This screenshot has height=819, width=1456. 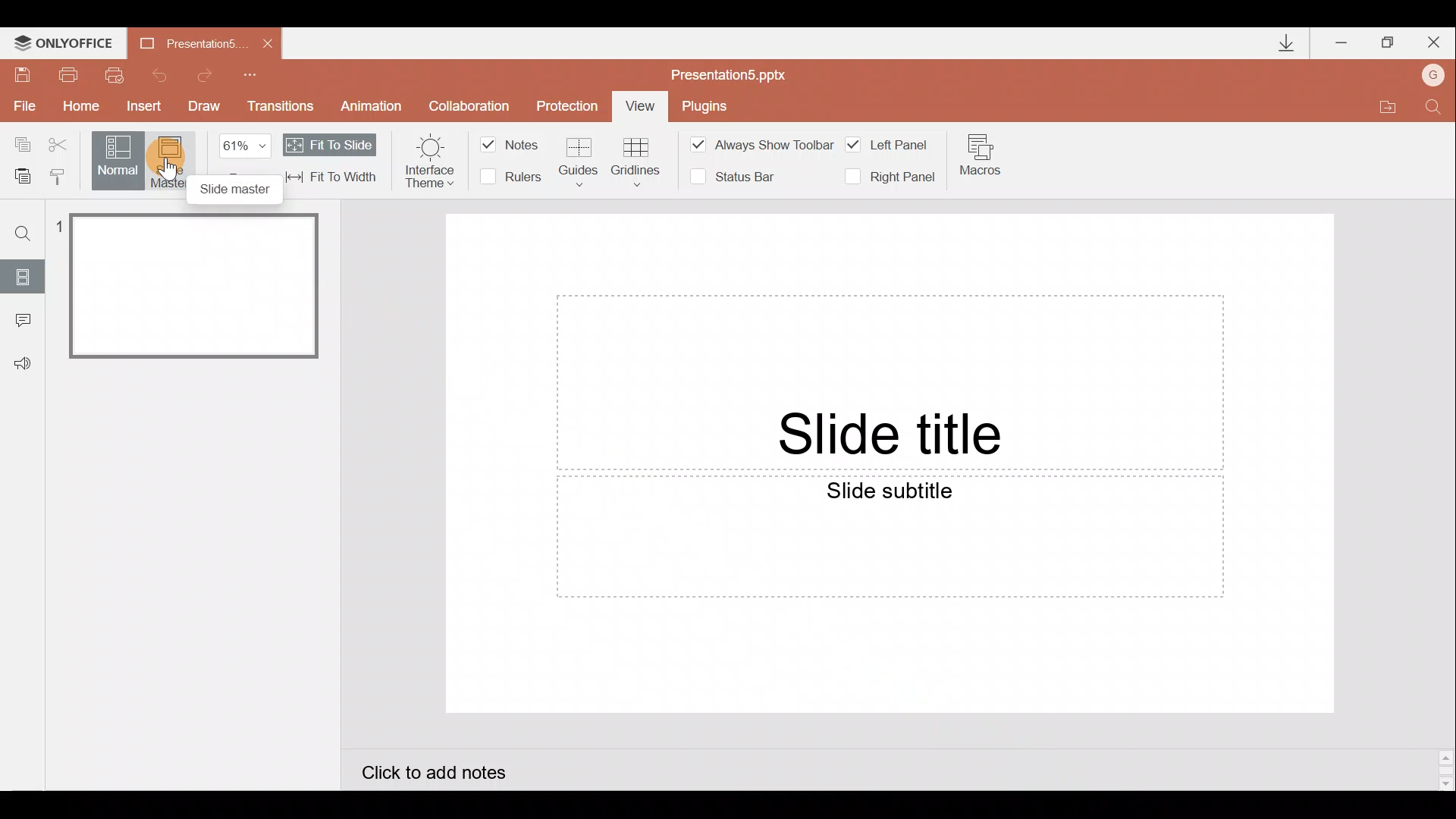 What do you see at coordinates (263, 42) in the screenshot?
I see `Close document` at bounding box center [263, 42].